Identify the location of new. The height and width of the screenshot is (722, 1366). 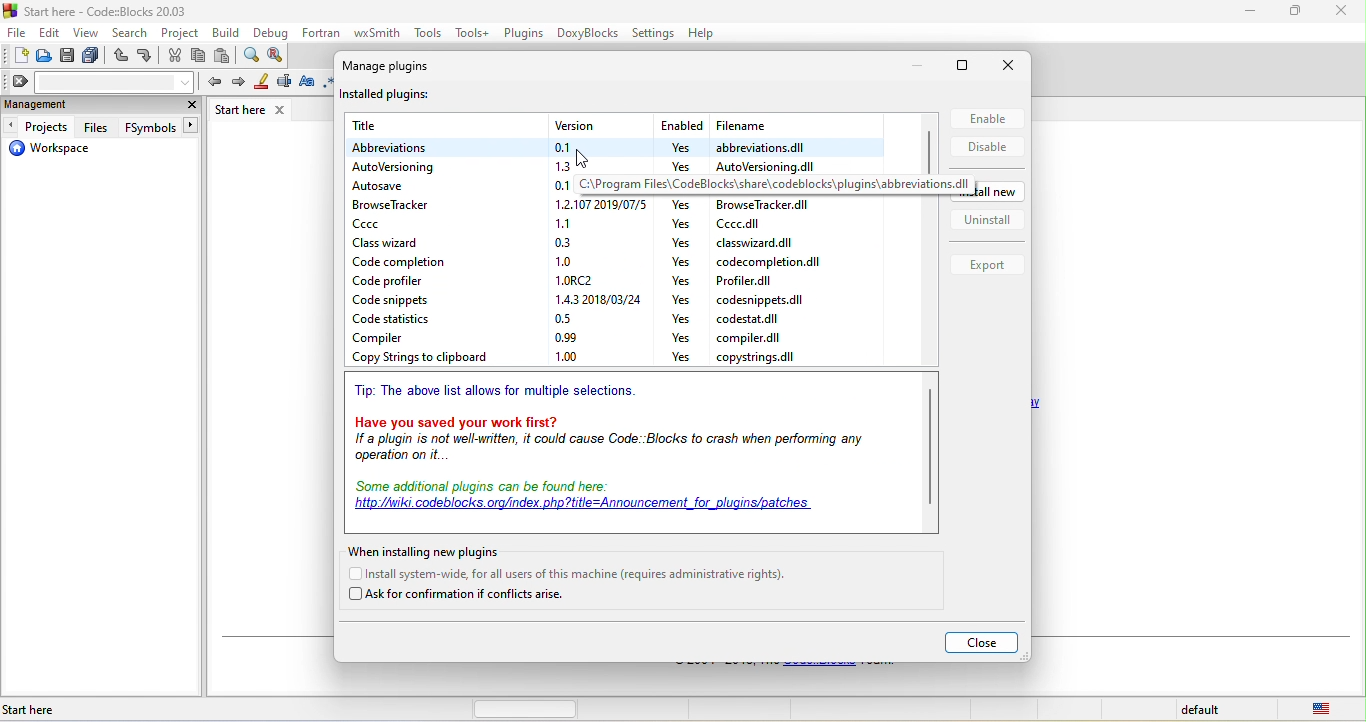
(16, 55).